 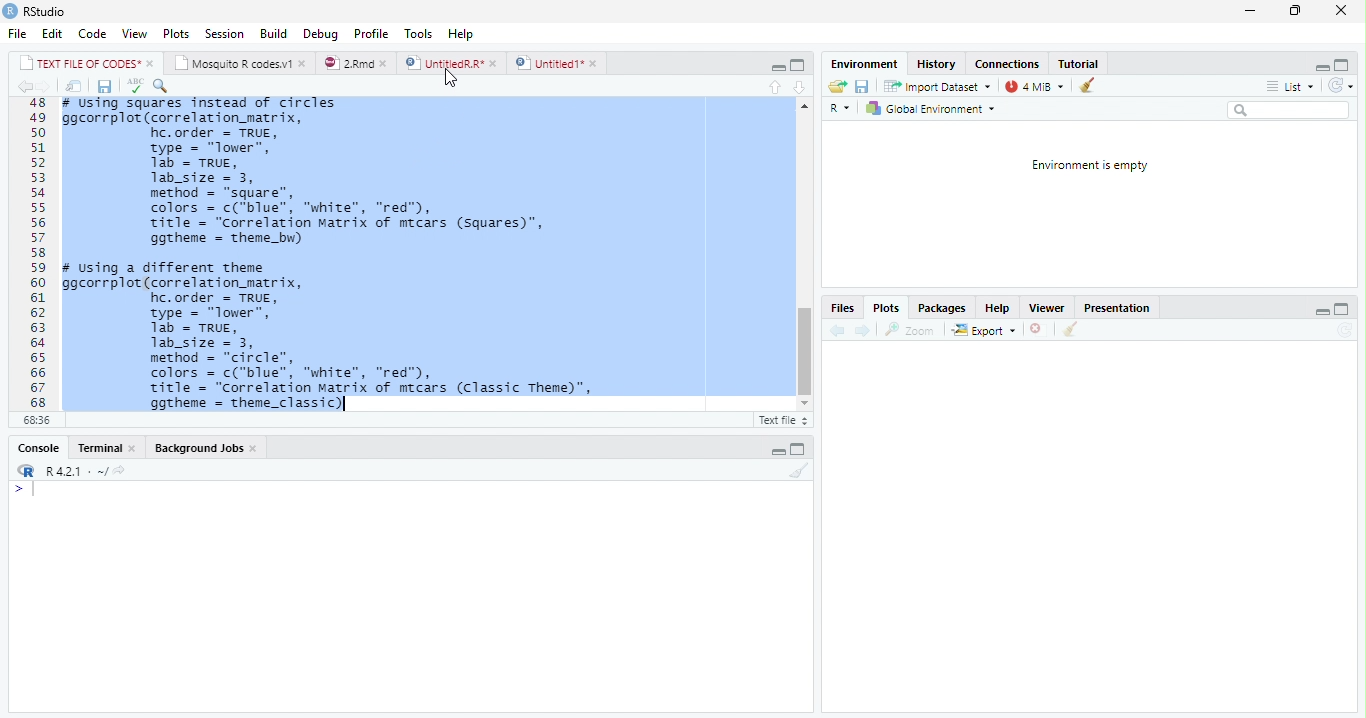 I want to click on search bar, so click(x=1295, y=110).